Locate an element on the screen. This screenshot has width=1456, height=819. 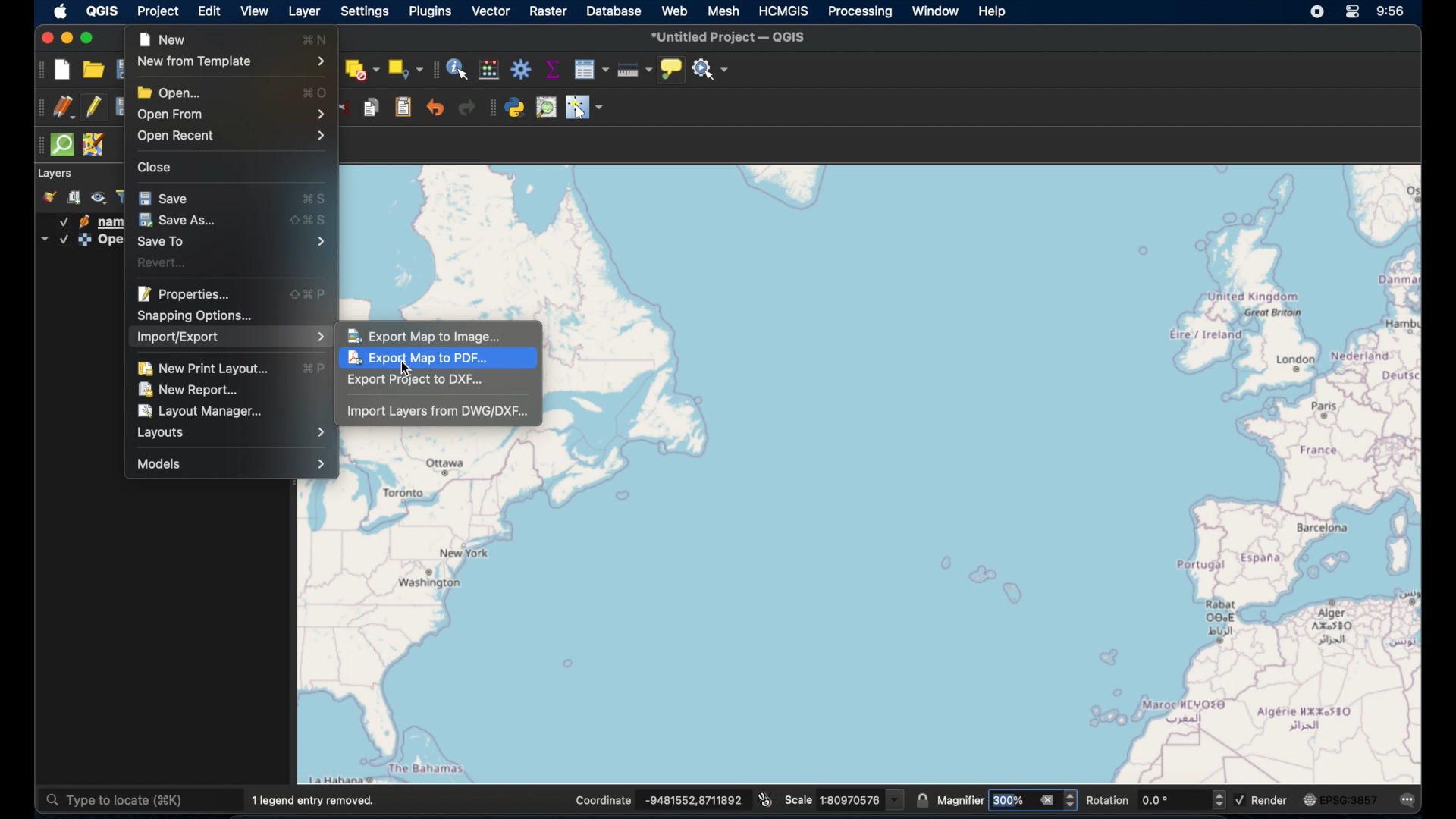
help is located at coordinates (994, 12).